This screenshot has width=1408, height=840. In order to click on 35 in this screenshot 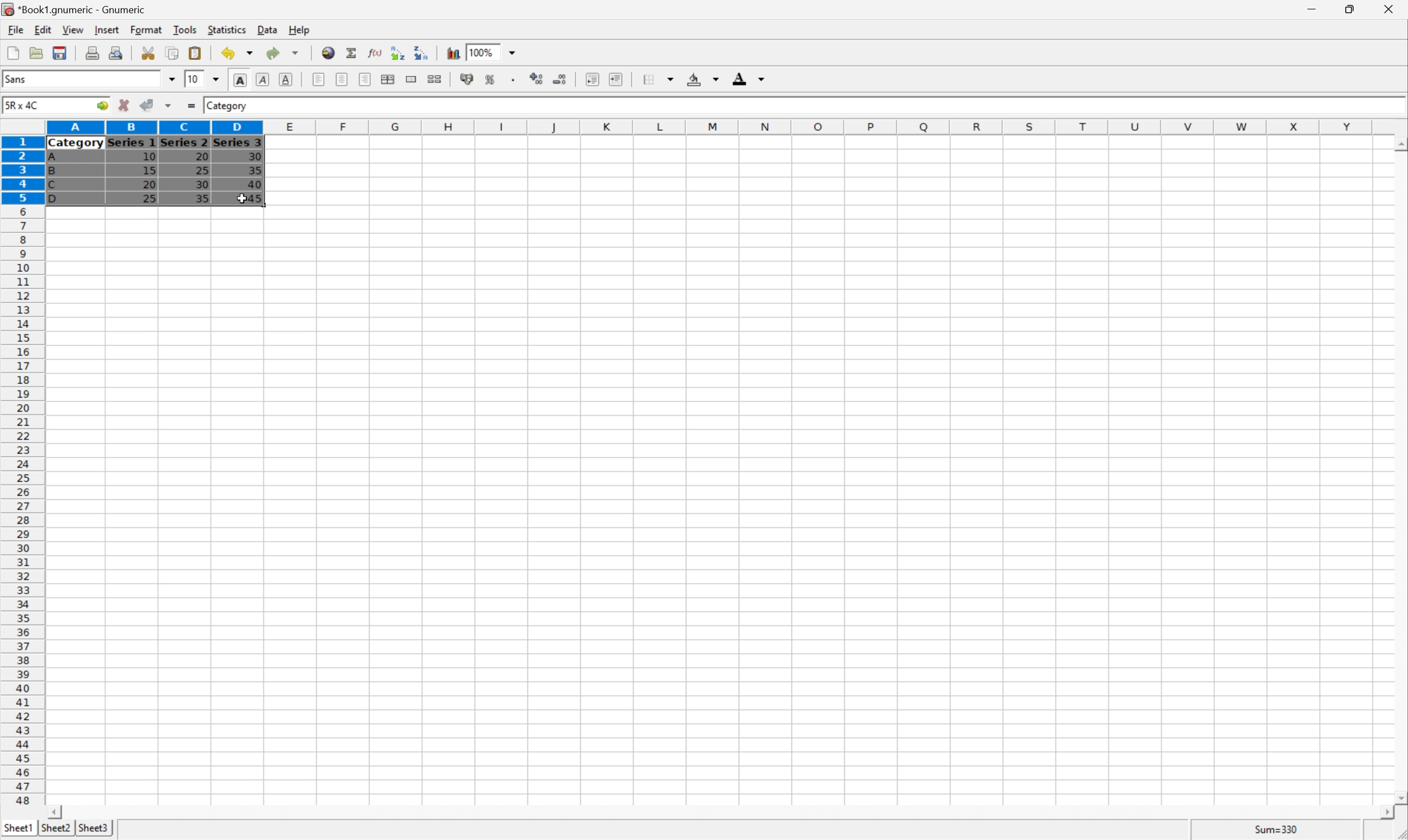, I will do `click(255, 170)`.